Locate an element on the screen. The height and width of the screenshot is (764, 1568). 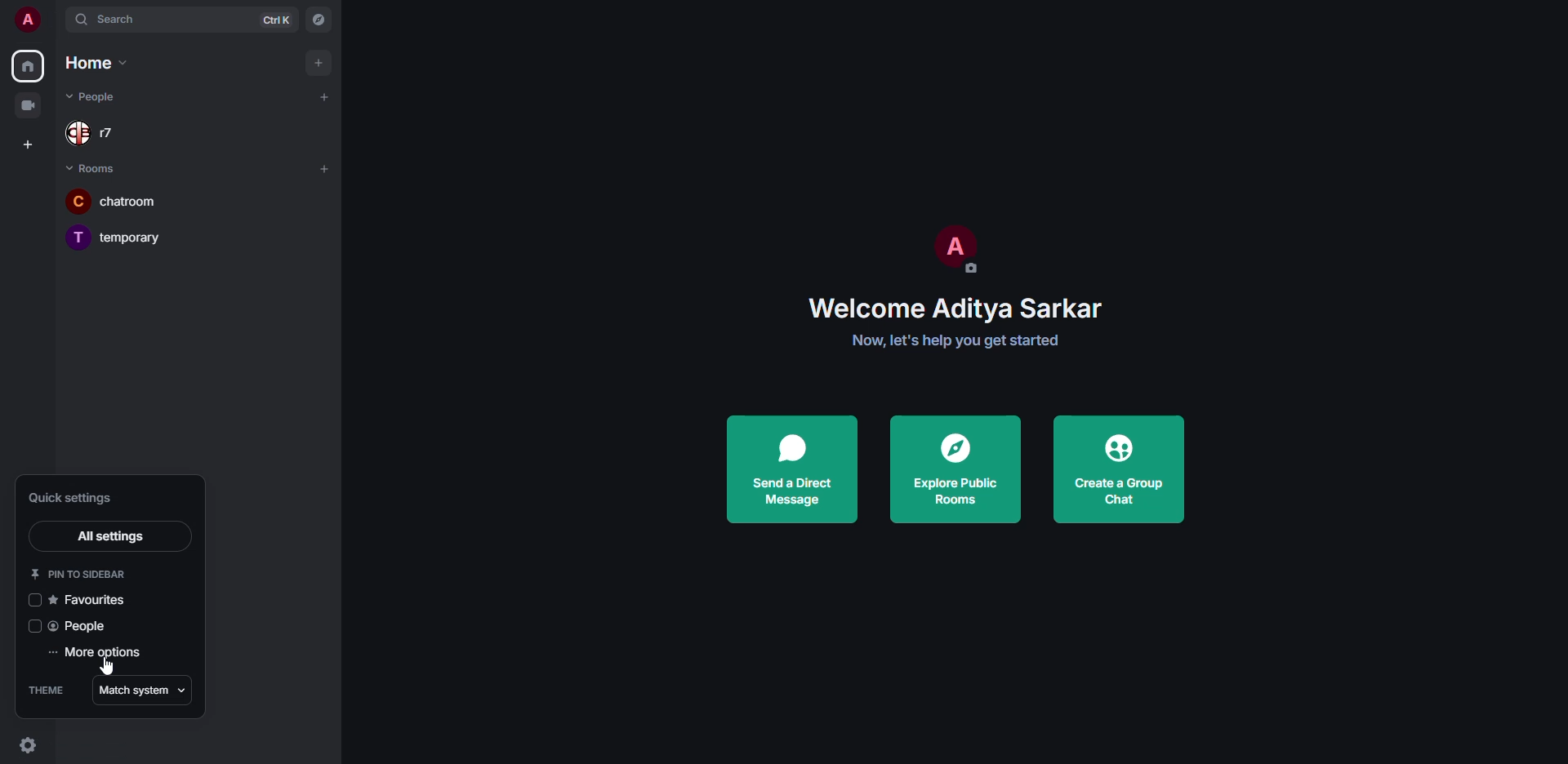
add is located at coordinates (319, 62).